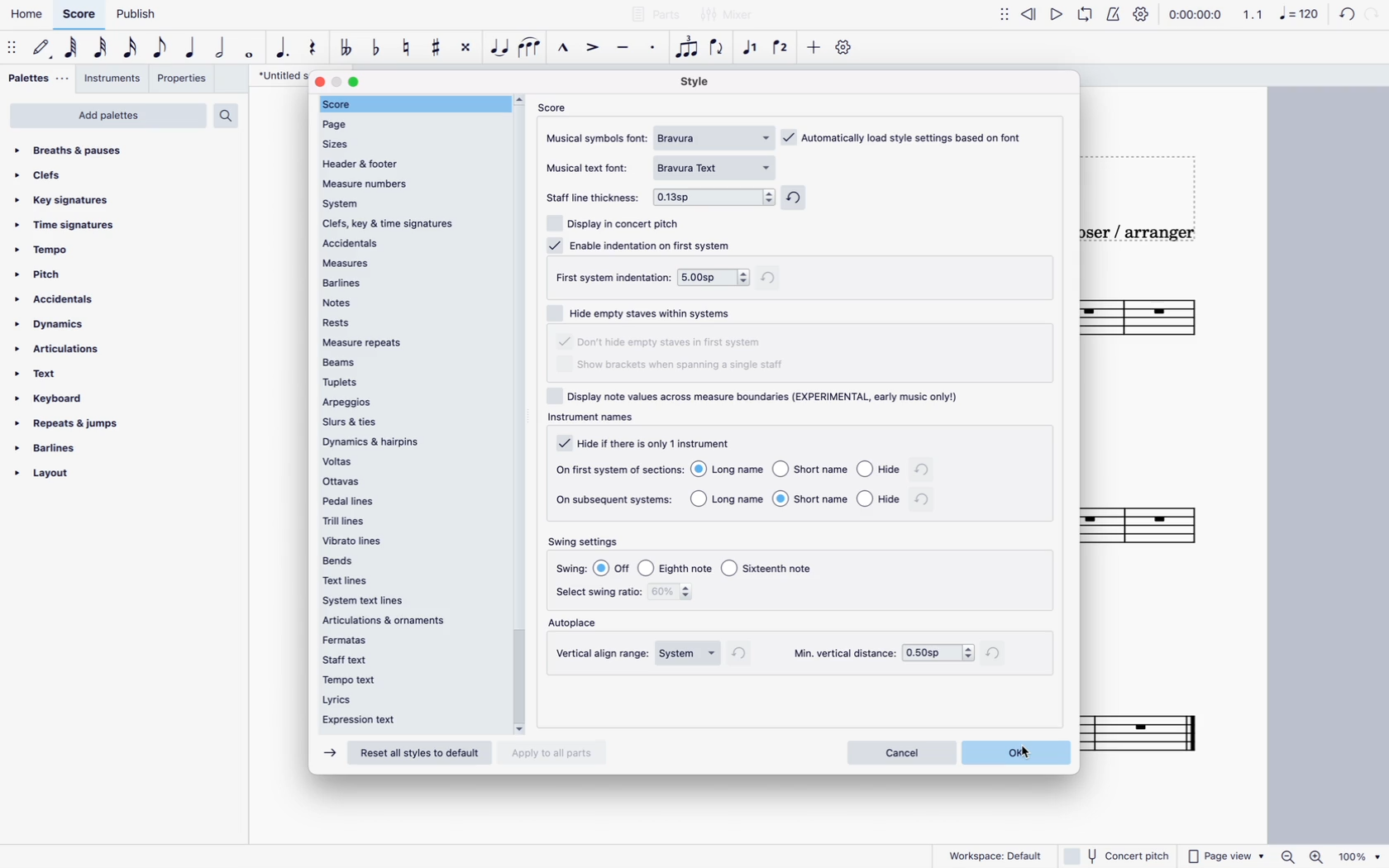 Image resolution: width=1389 pixels, height=868 pixels. Describe the element at coordinates (405, 122) in the screenshot. I see `page` at that location.